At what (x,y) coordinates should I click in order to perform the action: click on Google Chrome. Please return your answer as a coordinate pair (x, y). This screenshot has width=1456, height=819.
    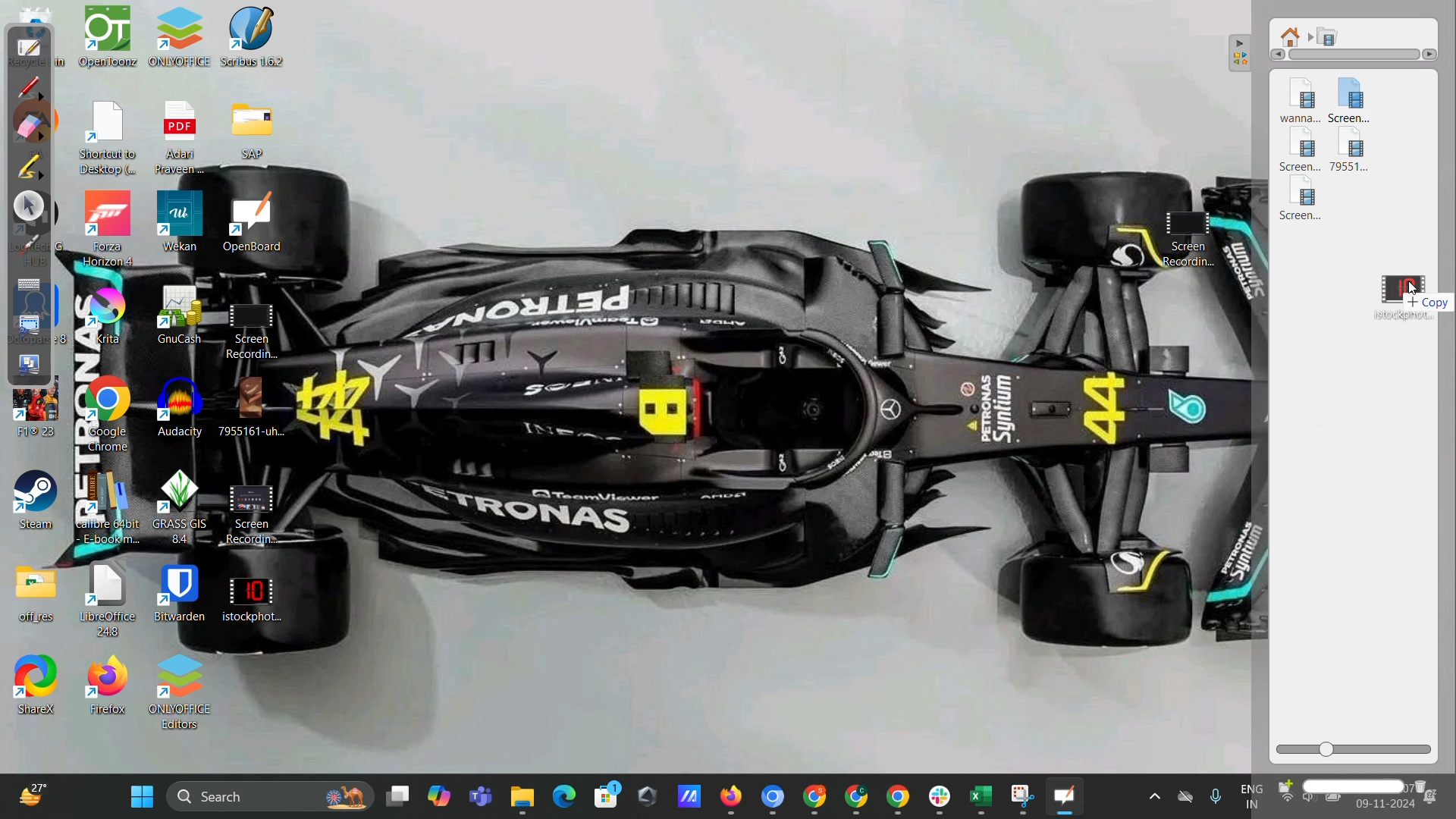
    Looking at the image, I should click on (112, 413).